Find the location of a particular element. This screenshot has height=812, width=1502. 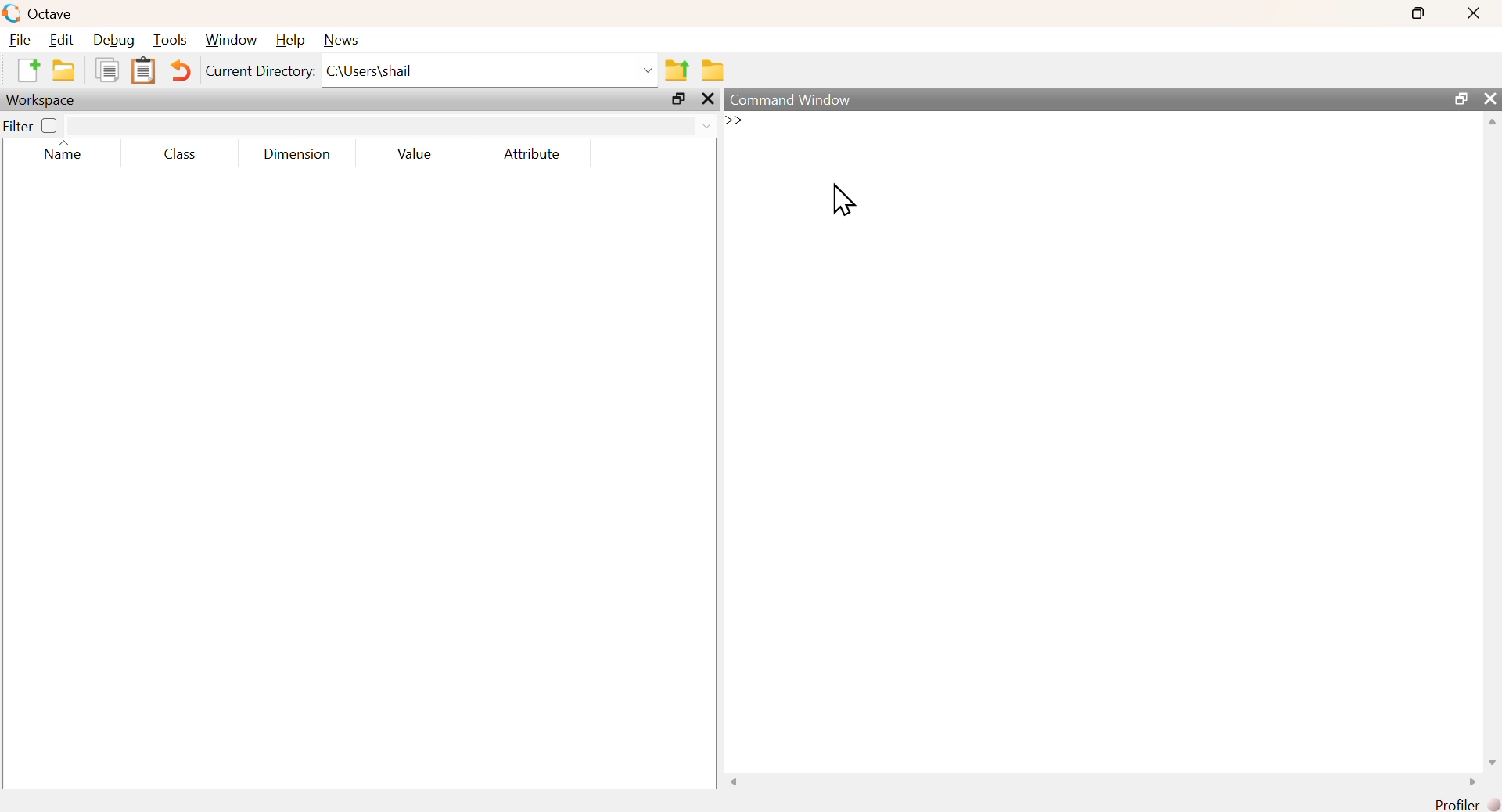

octave is located at coordinates (40, 13).